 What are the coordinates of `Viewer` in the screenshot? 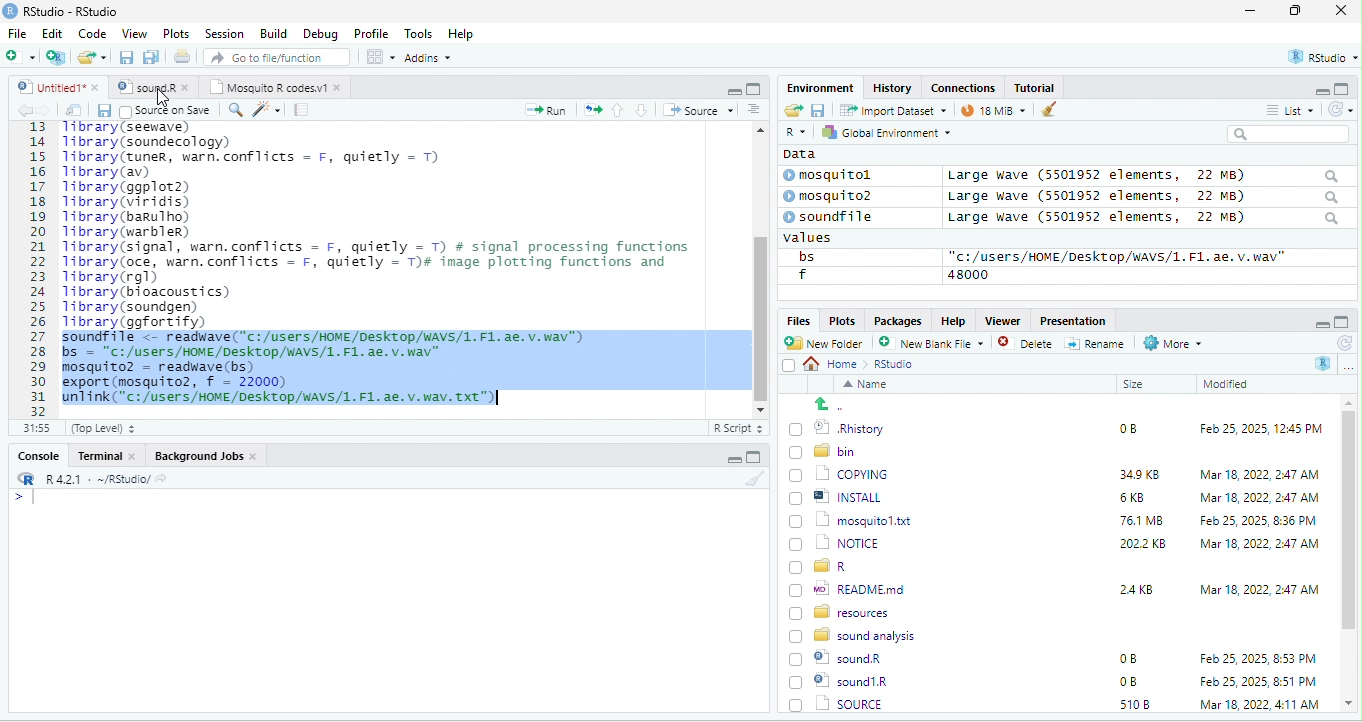 It's located at (1000, 321).